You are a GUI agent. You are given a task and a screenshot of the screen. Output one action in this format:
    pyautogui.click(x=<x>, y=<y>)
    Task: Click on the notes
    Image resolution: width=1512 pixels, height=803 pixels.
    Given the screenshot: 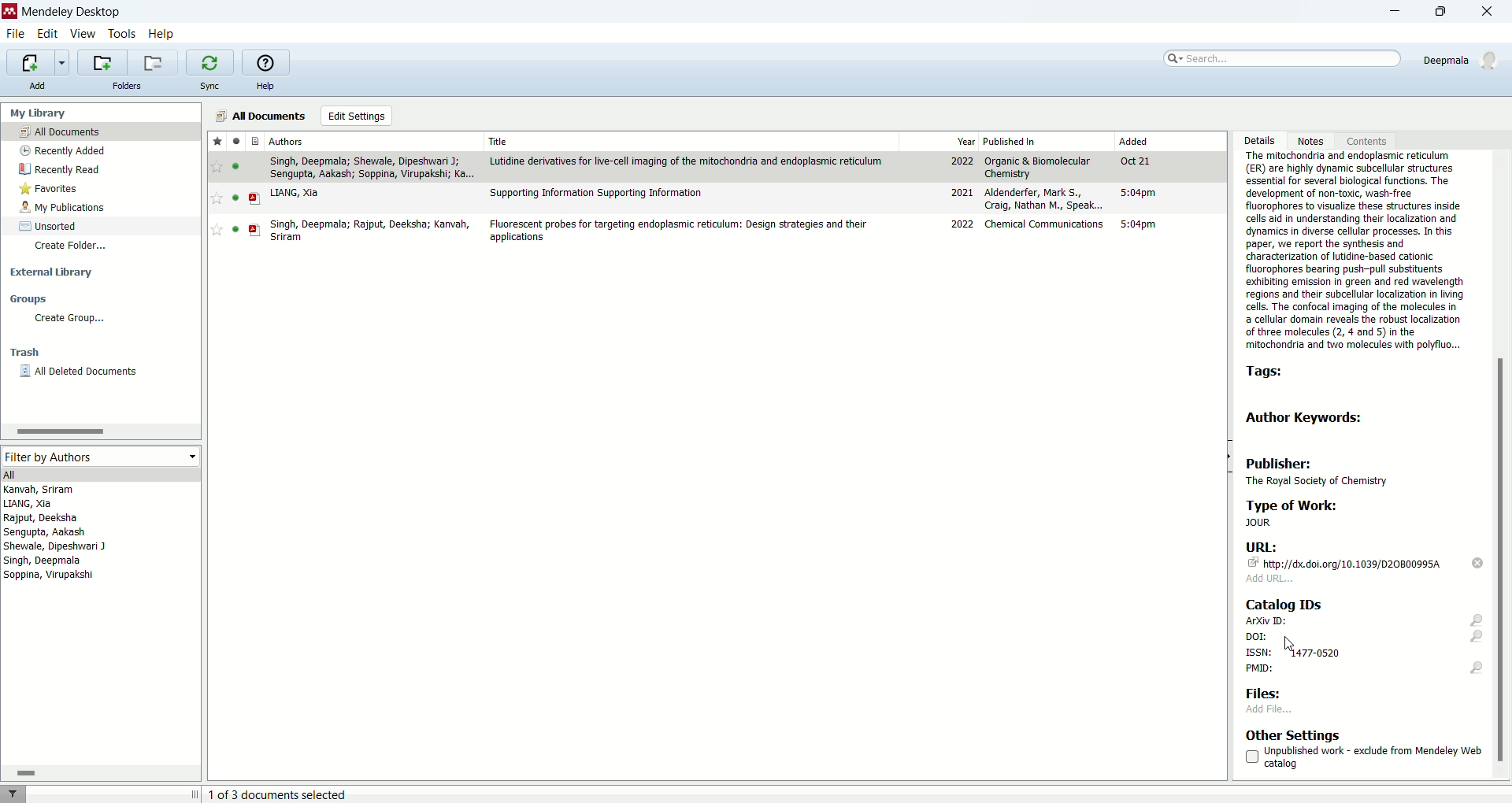 What is the action you would take?
    pyautogui.click(x=1314, y=140)
    